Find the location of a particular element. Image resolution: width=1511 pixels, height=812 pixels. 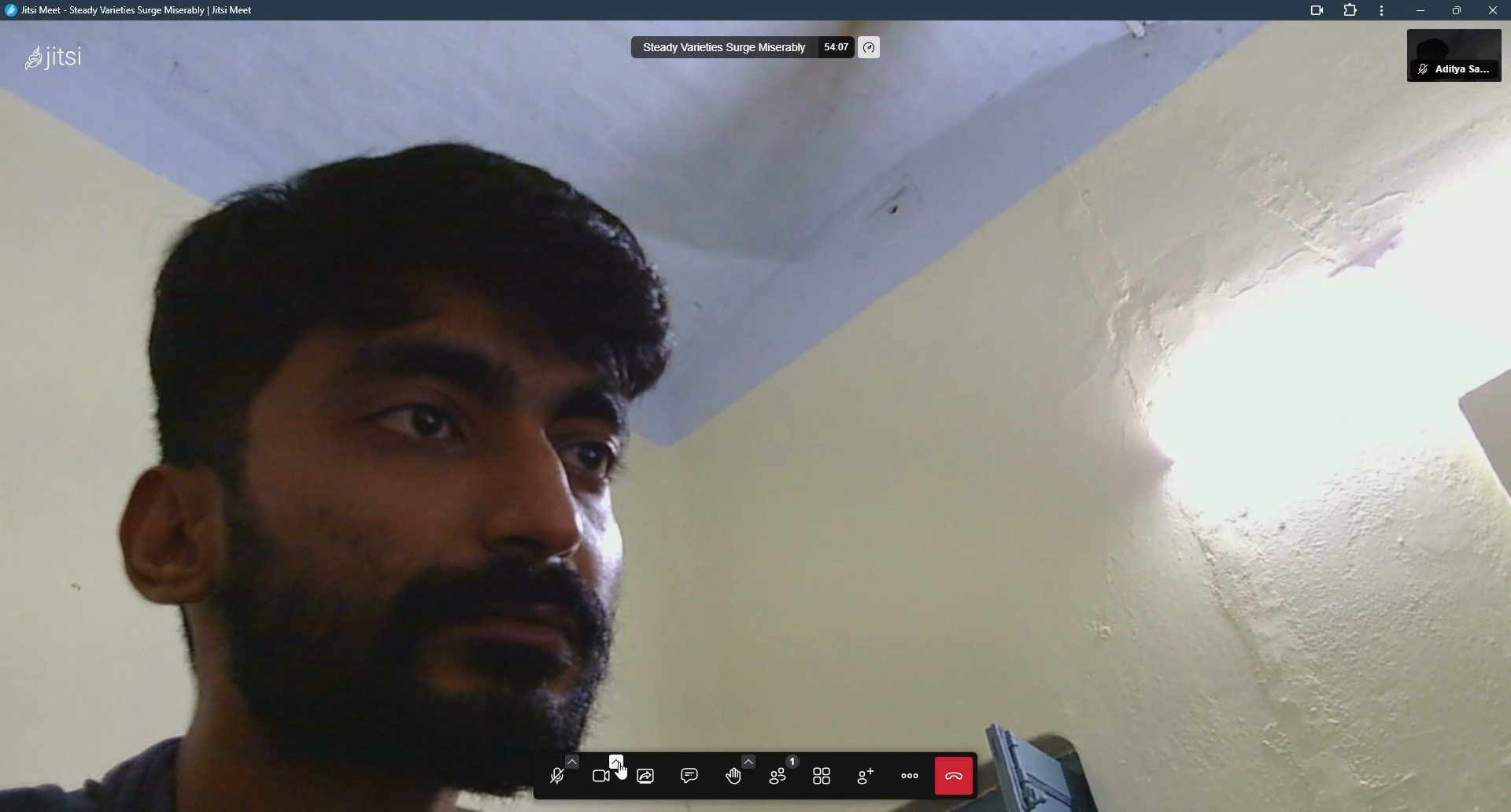

camera is located at coordinates (1311, 12).